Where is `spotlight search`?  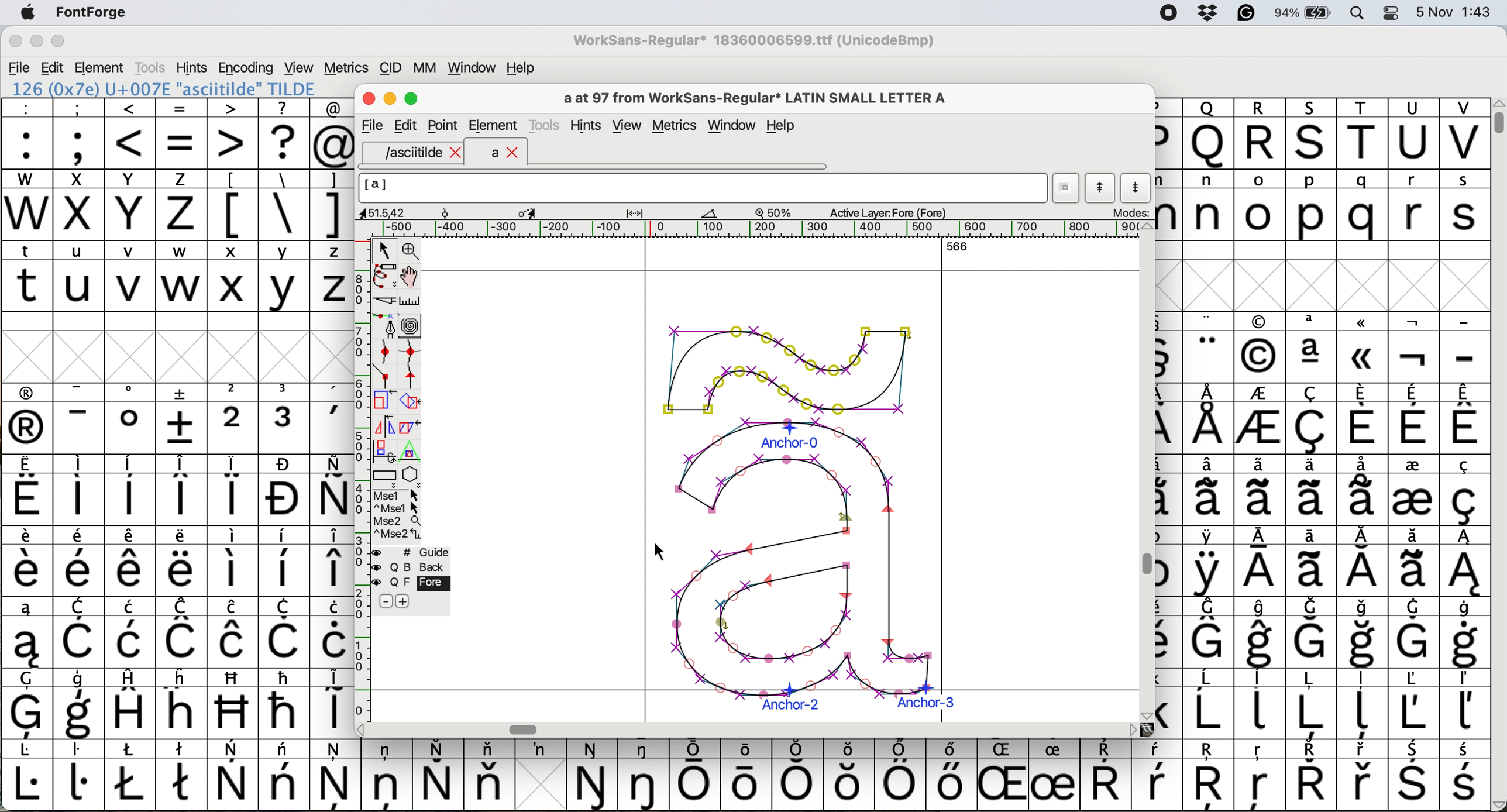
spotlight search is located at coordinates (1364, 12).